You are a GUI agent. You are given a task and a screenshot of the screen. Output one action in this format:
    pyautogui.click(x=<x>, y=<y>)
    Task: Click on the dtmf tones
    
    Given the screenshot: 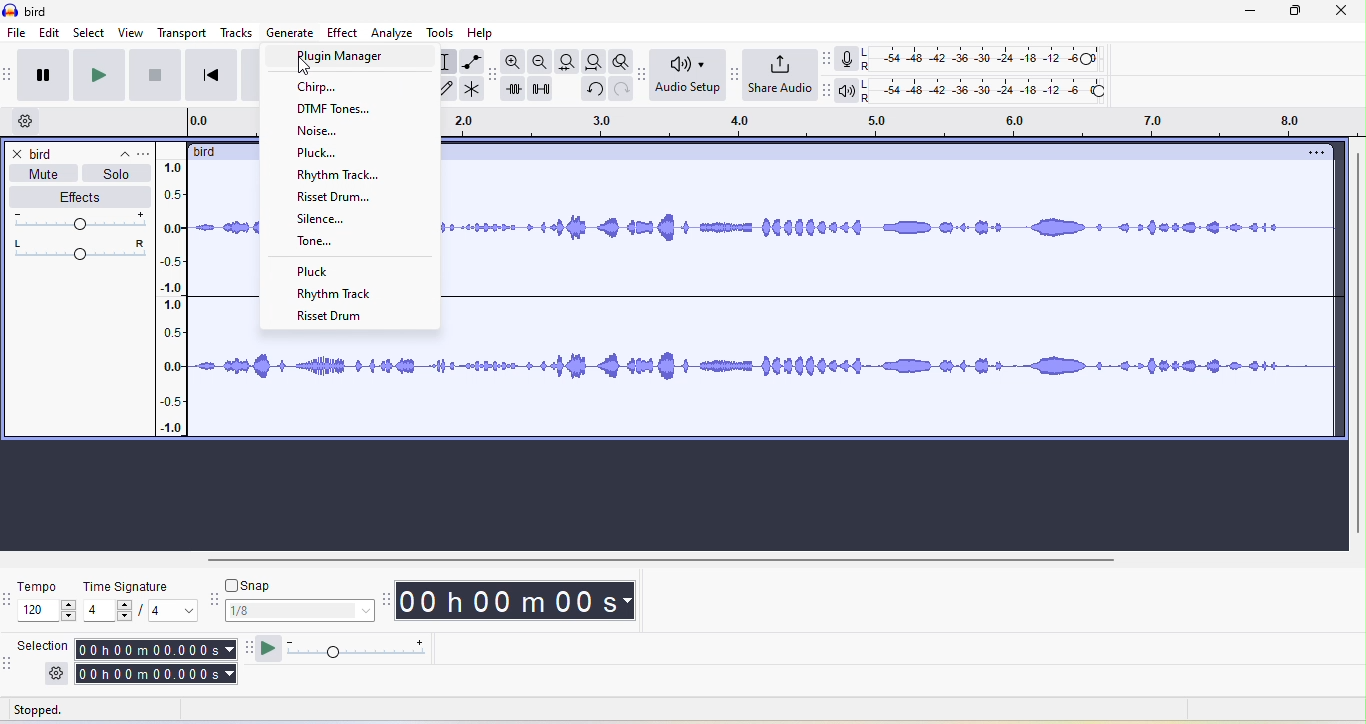 What is the action you would take?
    pyautogui.click(x=348, y=109)
    